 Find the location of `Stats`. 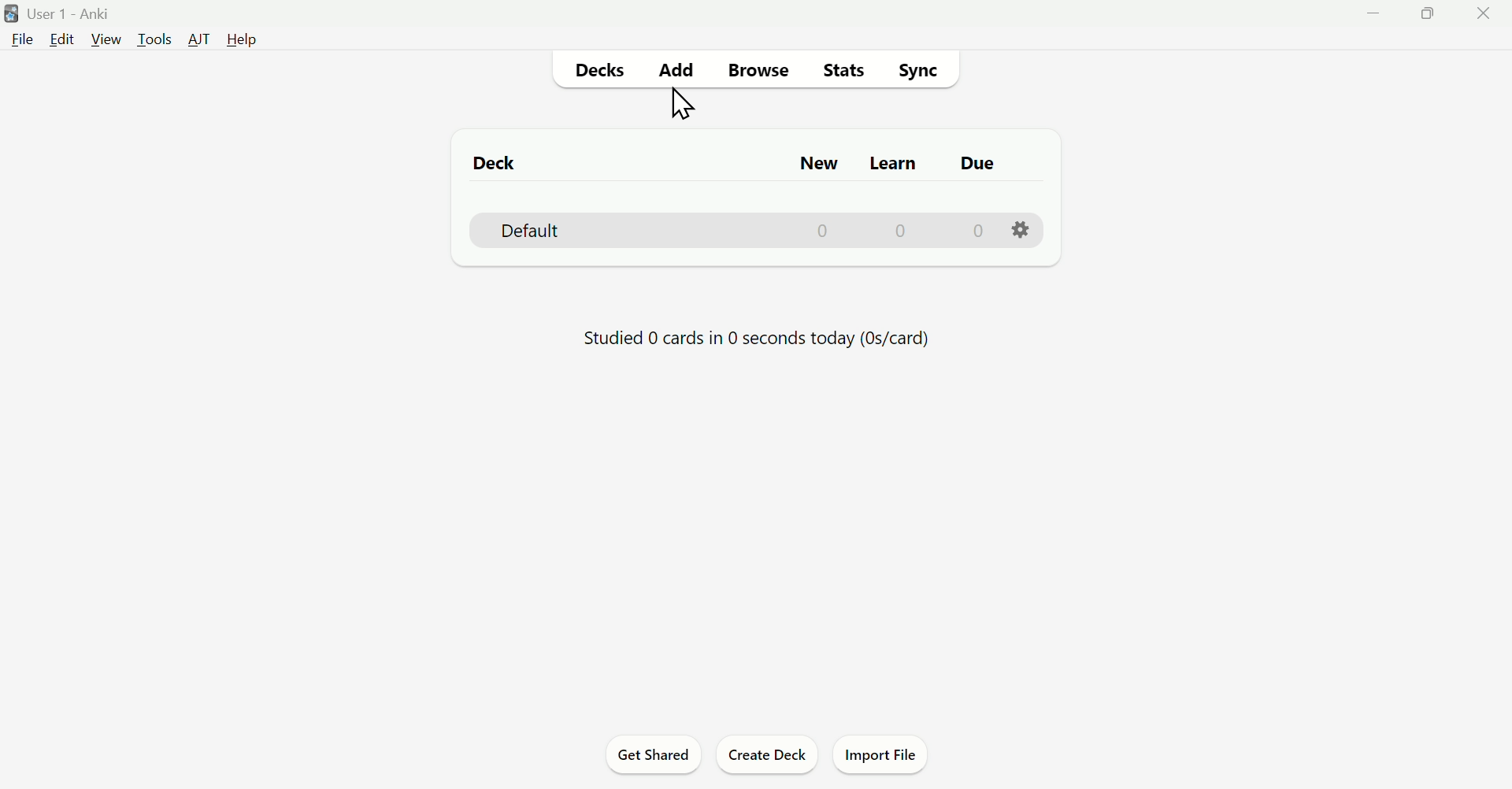

Stats is located at coordinates (847, 70).